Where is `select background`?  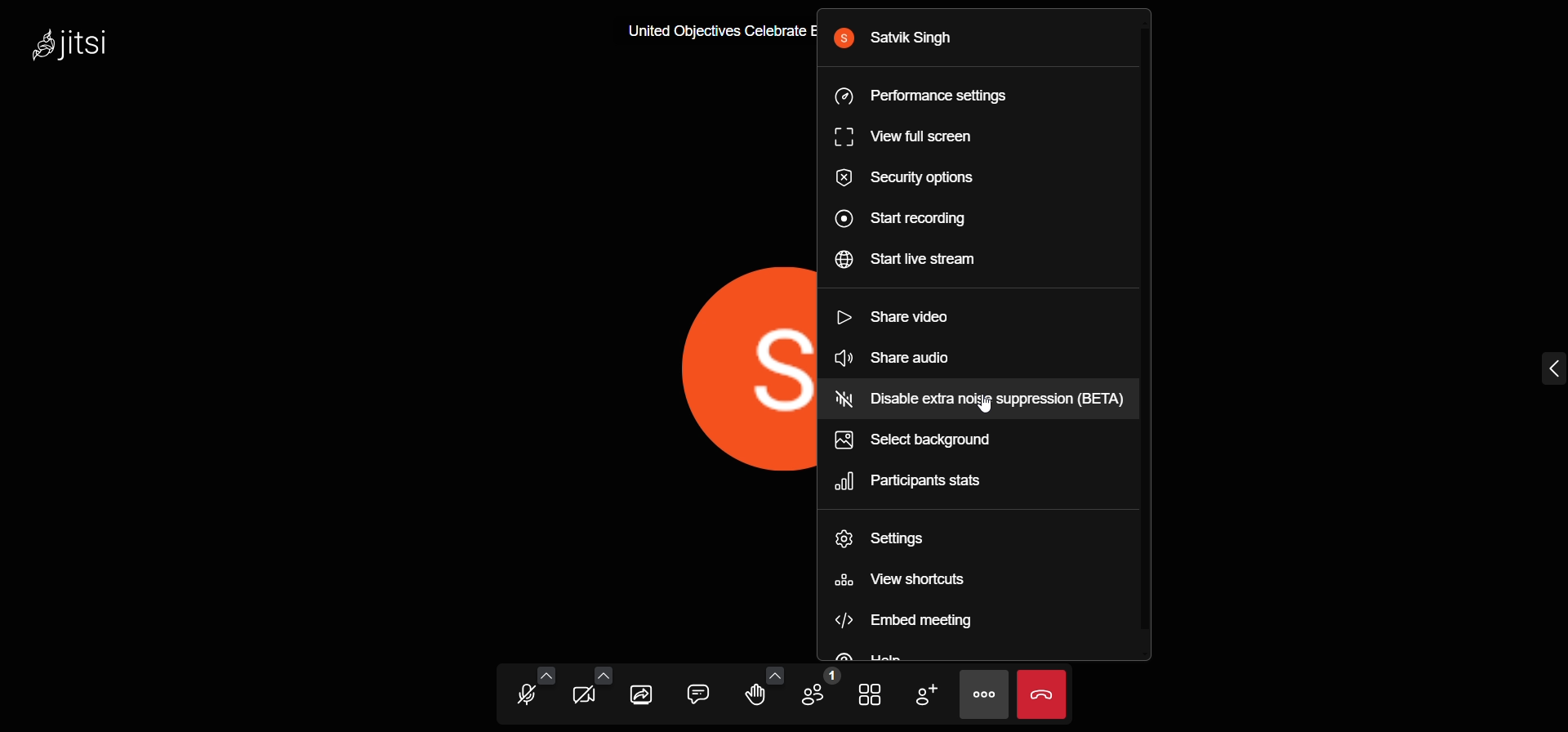
select background is located at coordinates (911, 438).